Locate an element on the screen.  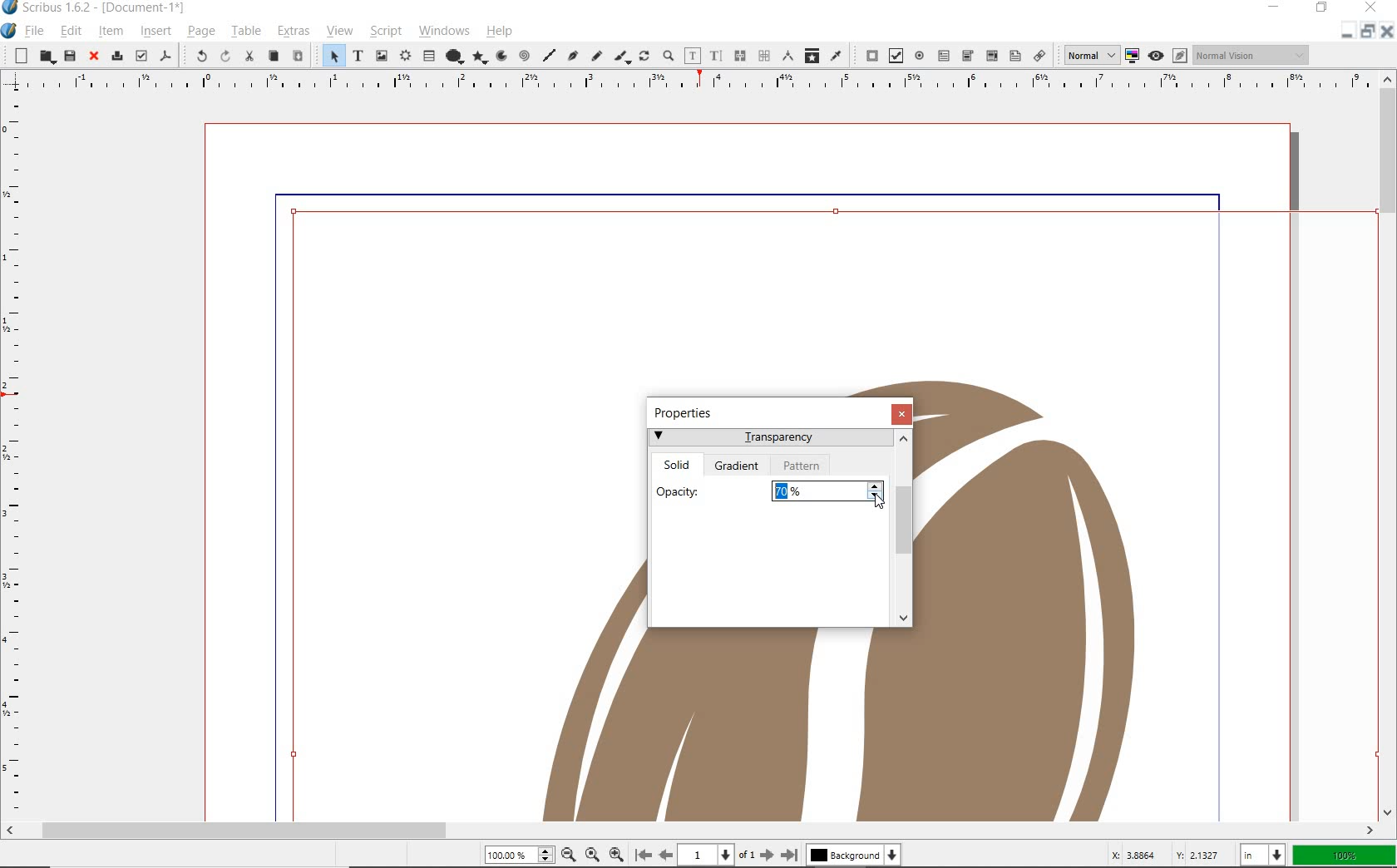
cut is located at coordinates (251, 57).